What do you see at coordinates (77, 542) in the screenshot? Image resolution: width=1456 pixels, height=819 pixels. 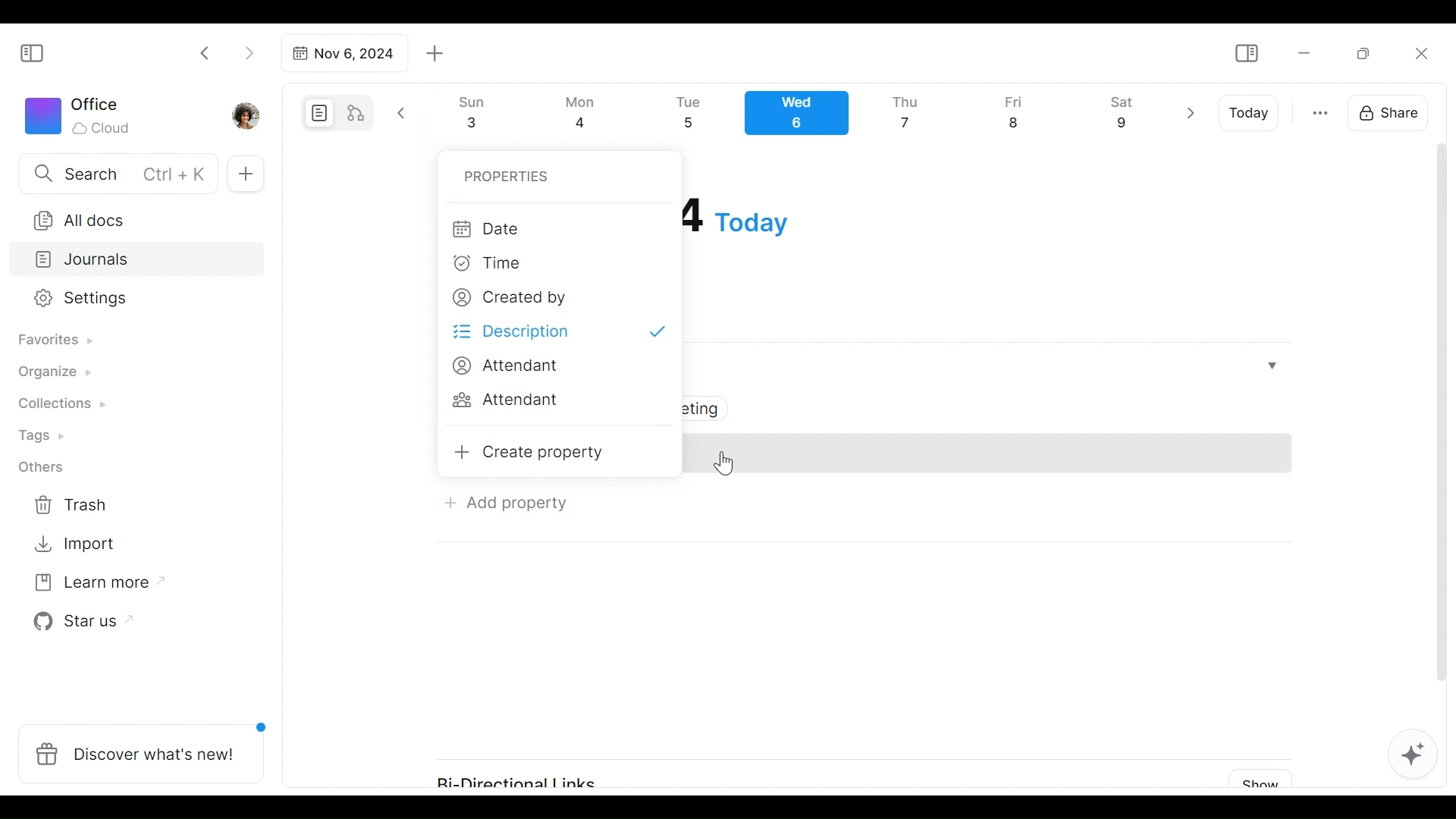 I see `Import` at bounding box center [77, 542].